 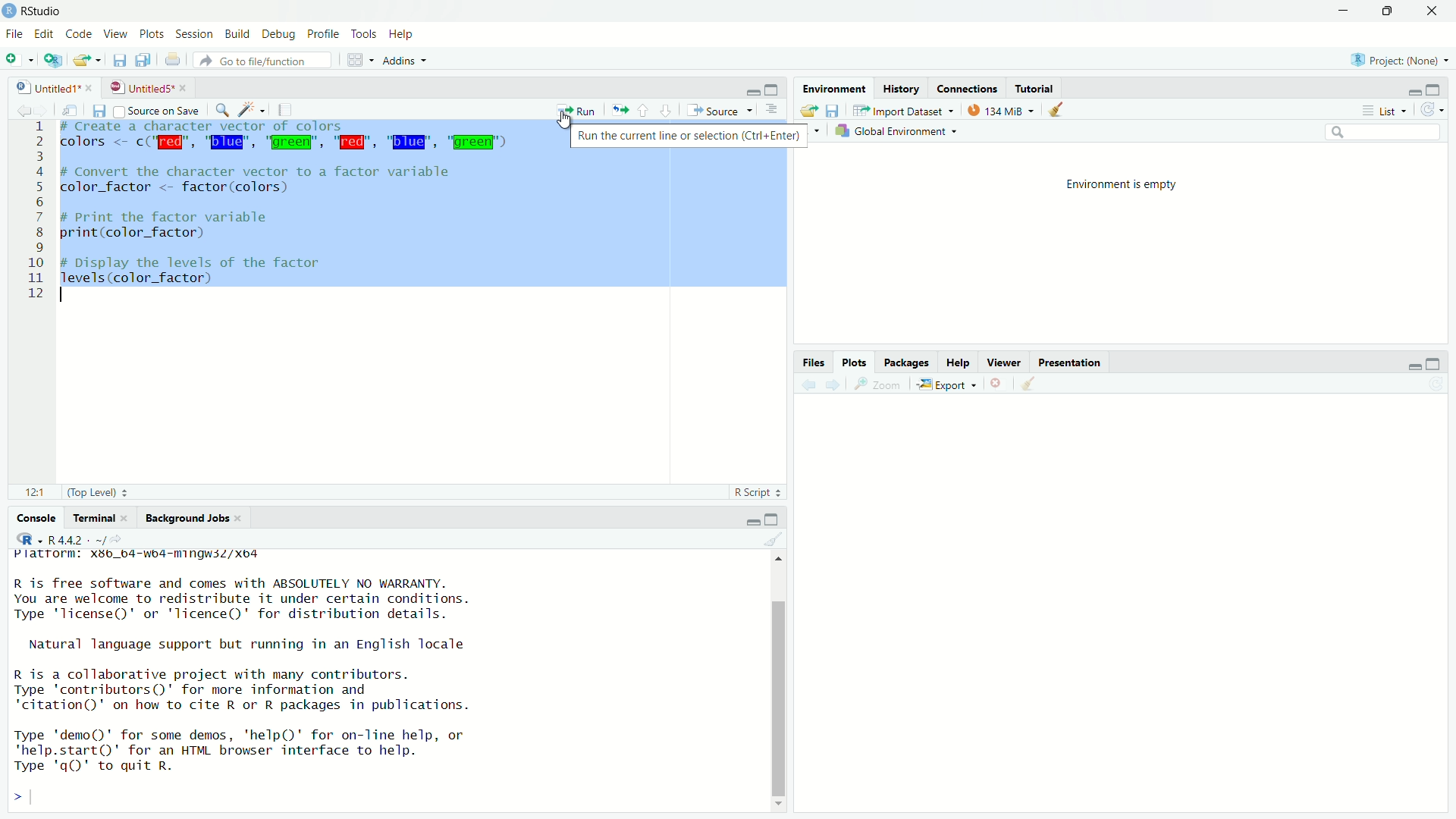 What do you see at coordinates (806, 110) in the screenshot?
I see `load workspace` at bounding box center [806, 110].